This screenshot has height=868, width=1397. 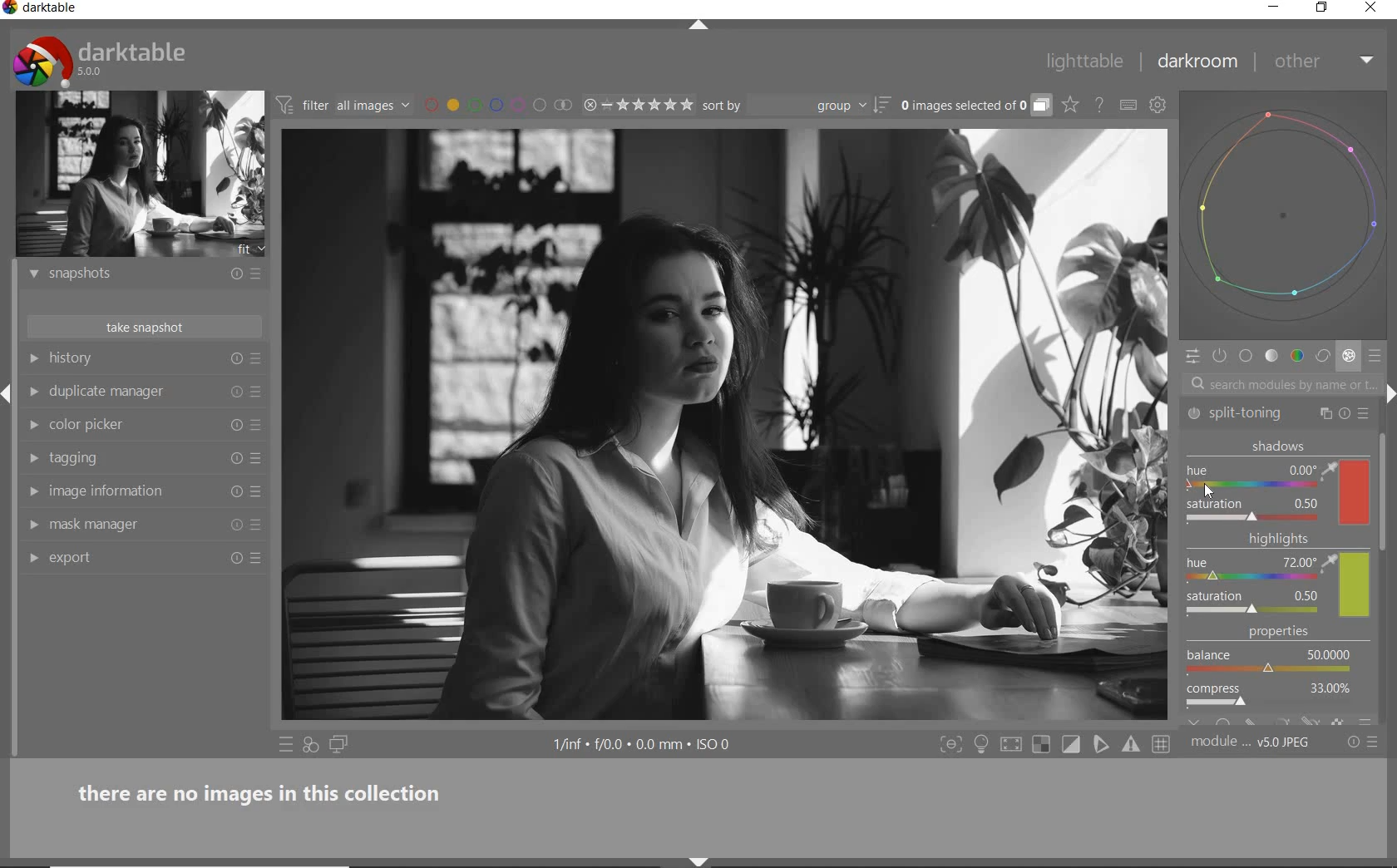 What do you see at coordinates (132, 524) in the screenshot?
I see `mask manager` at bounding box center [132, 524].